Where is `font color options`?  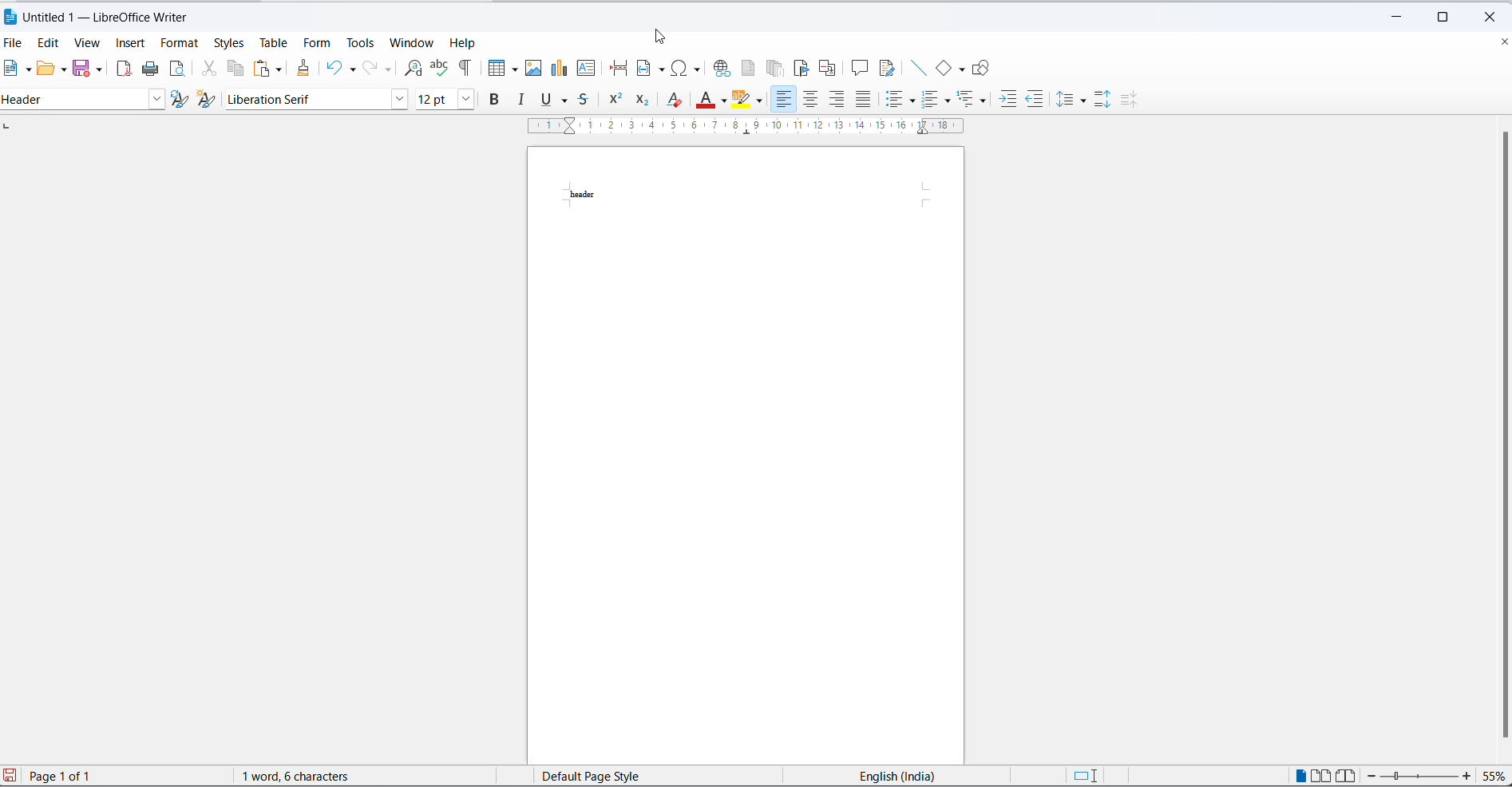 font color options is located at coordinates (726, 103).